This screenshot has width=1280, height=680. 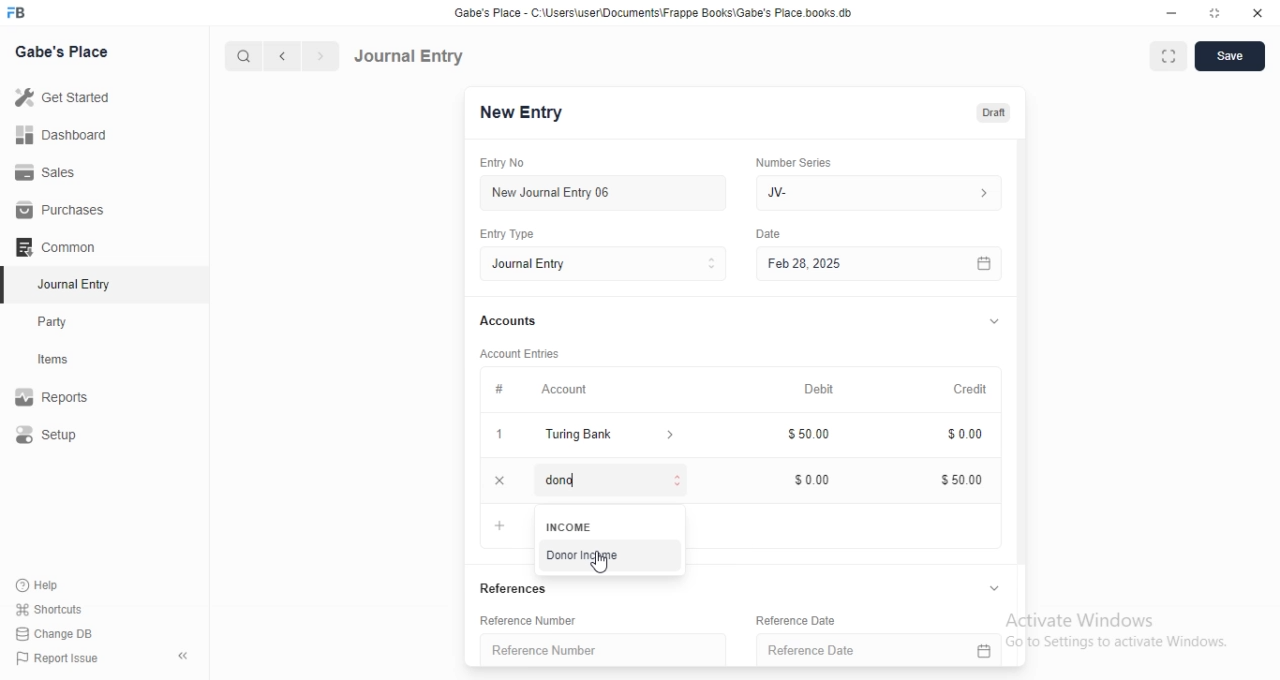 I want to click on $000, so click(x=815, y=479).